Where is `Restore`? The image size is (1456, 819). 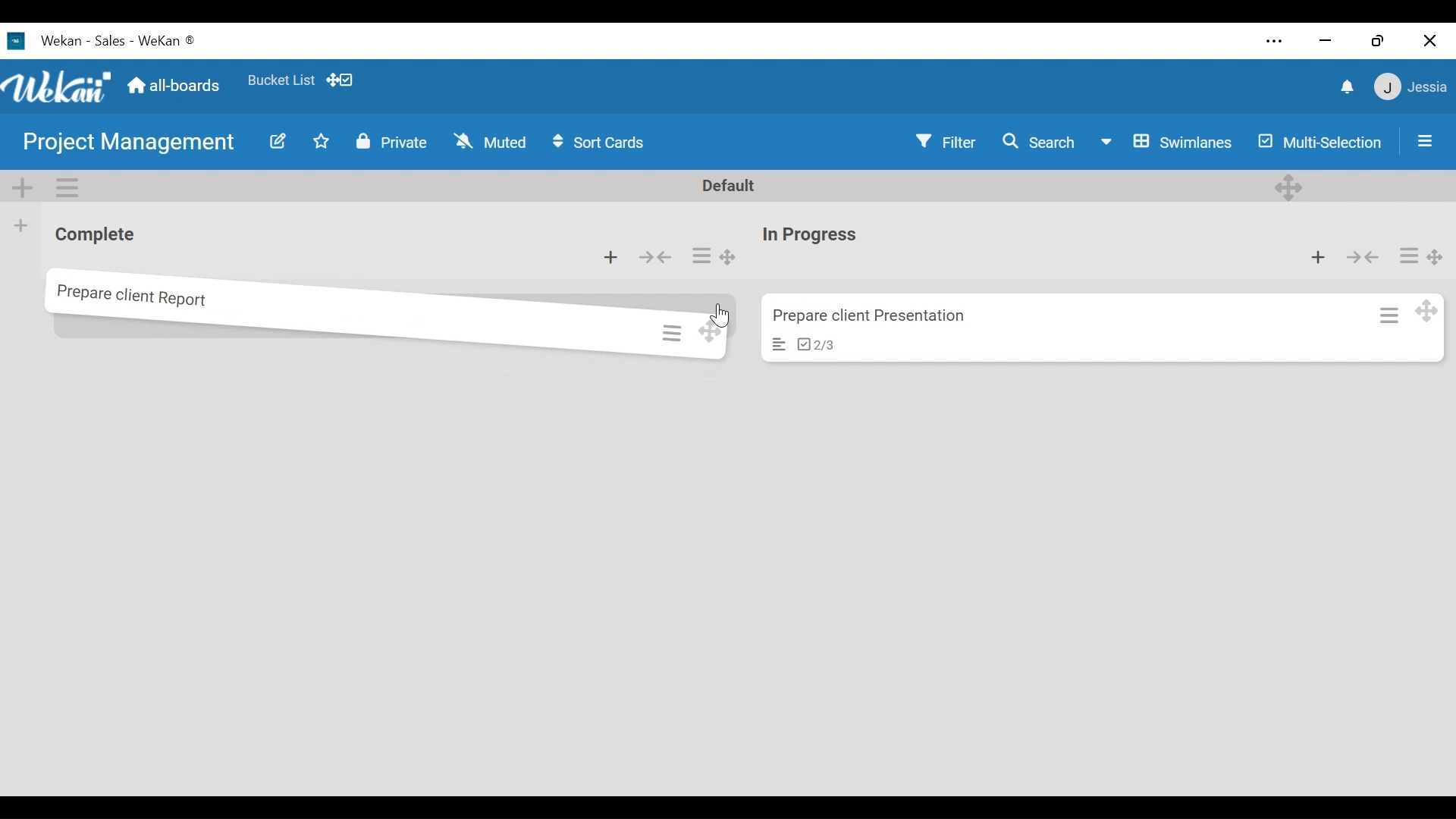
Restore is located at coordinates (1373, 37).